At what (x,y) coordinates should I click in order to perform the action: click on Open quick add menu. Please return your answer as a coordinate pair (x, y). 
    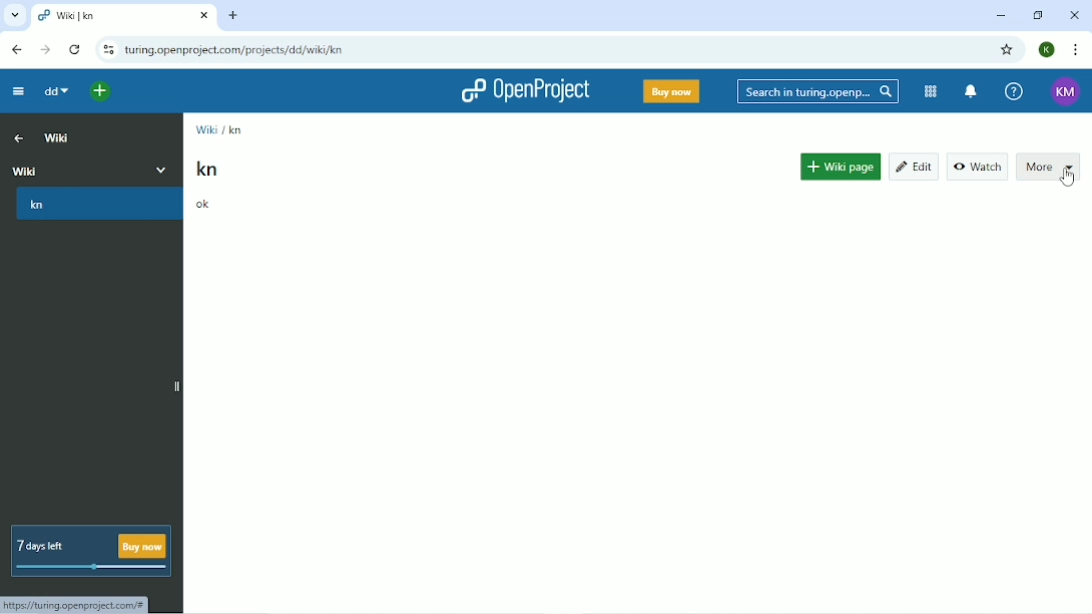
    Looking at the image, I should click on (95, 94).